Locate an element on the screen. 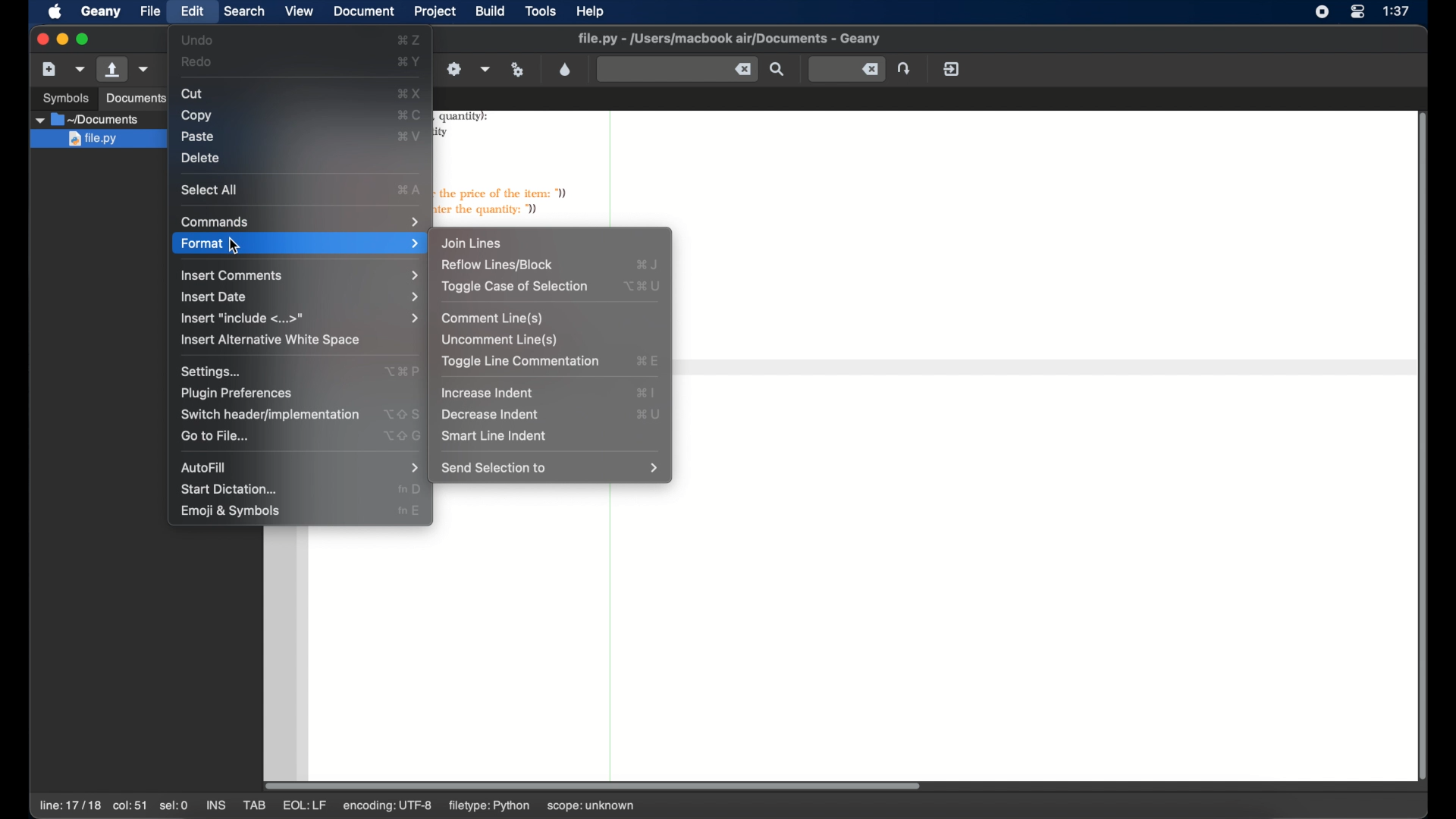 The image size is (1456, 819). symbols is located at coordinates (65, 97).